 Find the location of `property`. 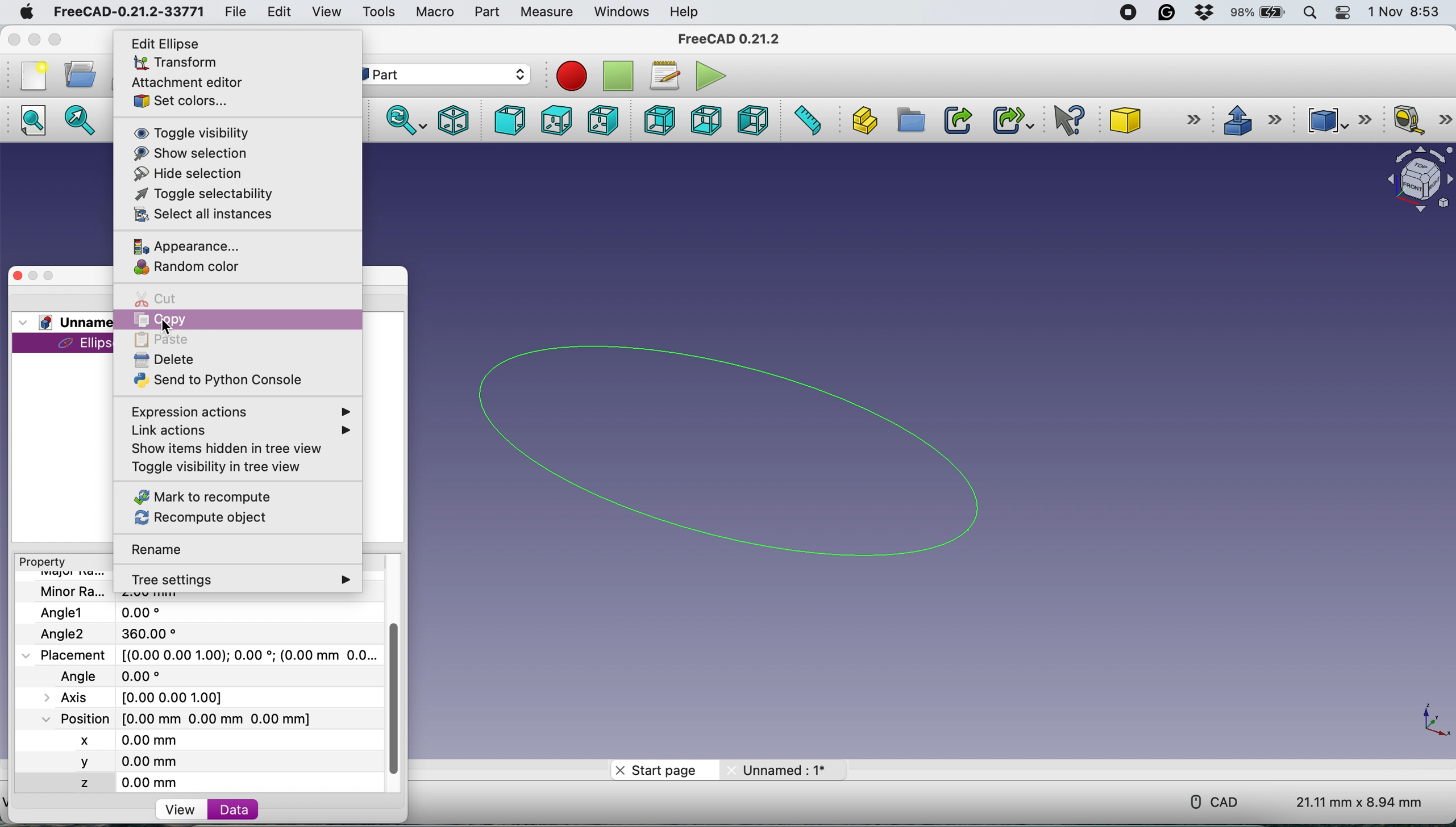

property is located at coordinates (45, 563).